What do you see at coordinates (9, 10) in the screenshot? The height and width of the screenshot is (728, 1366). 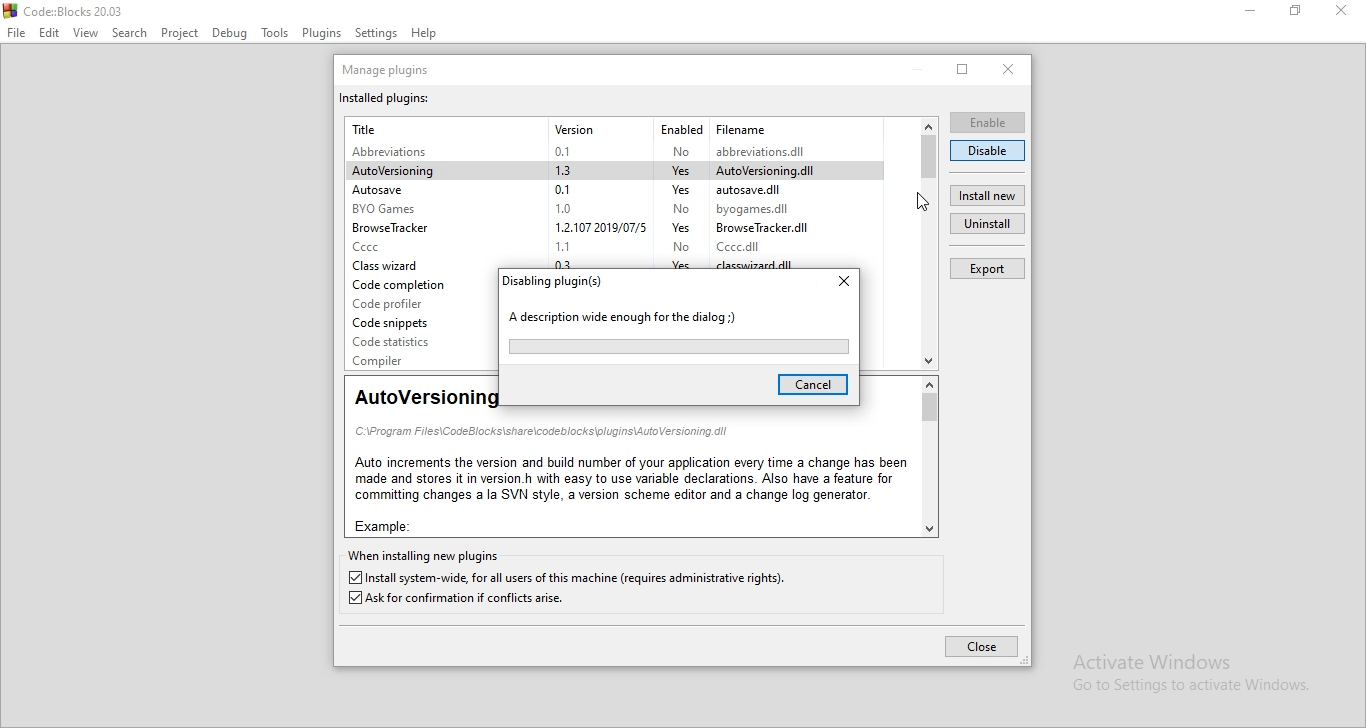 I see `CodeBlocks Desktop icon` at bounding box center [9, 10].